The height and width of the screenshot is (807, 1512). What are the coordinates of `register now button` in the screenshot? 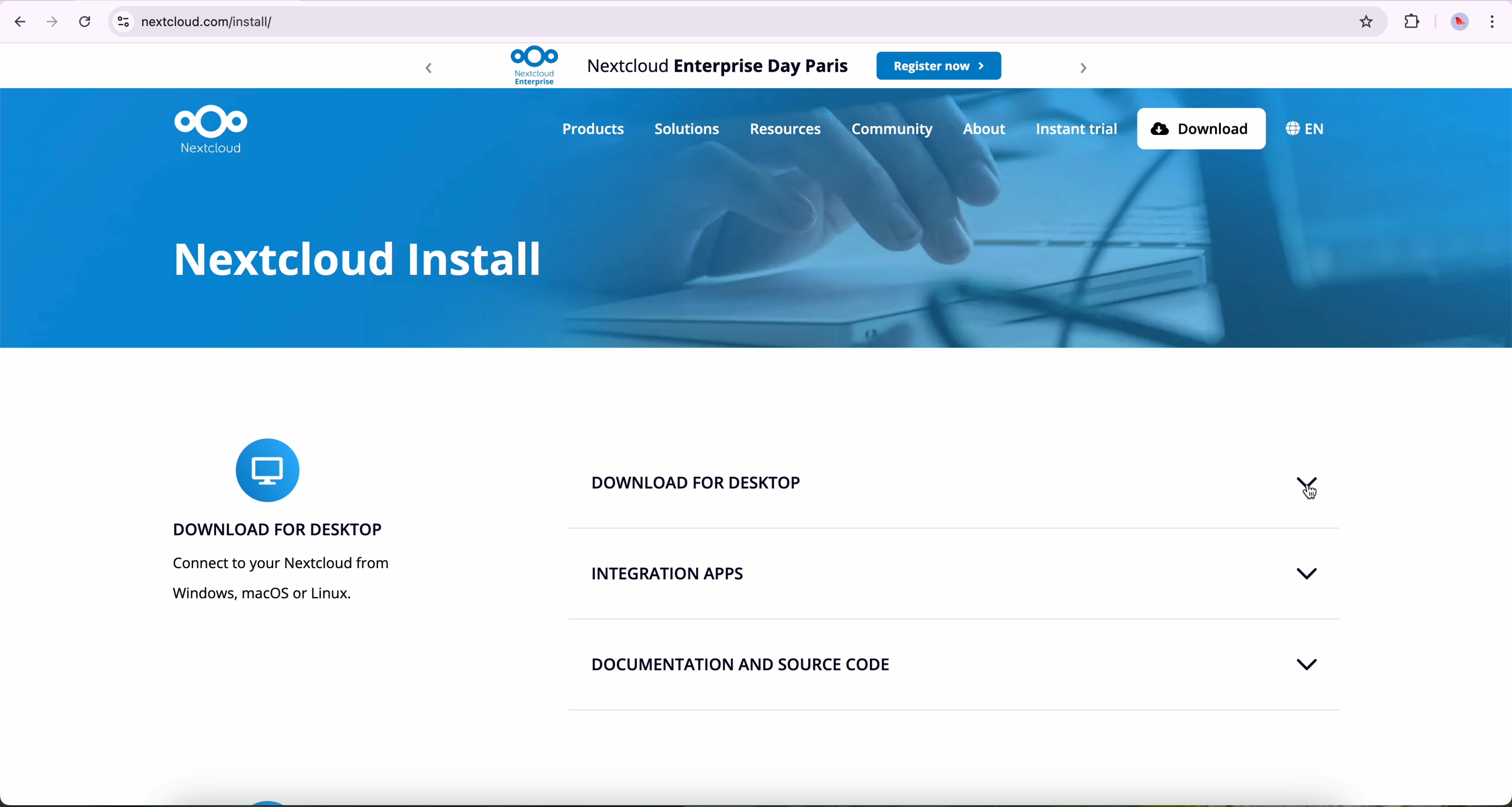 It's located at (939, 65).